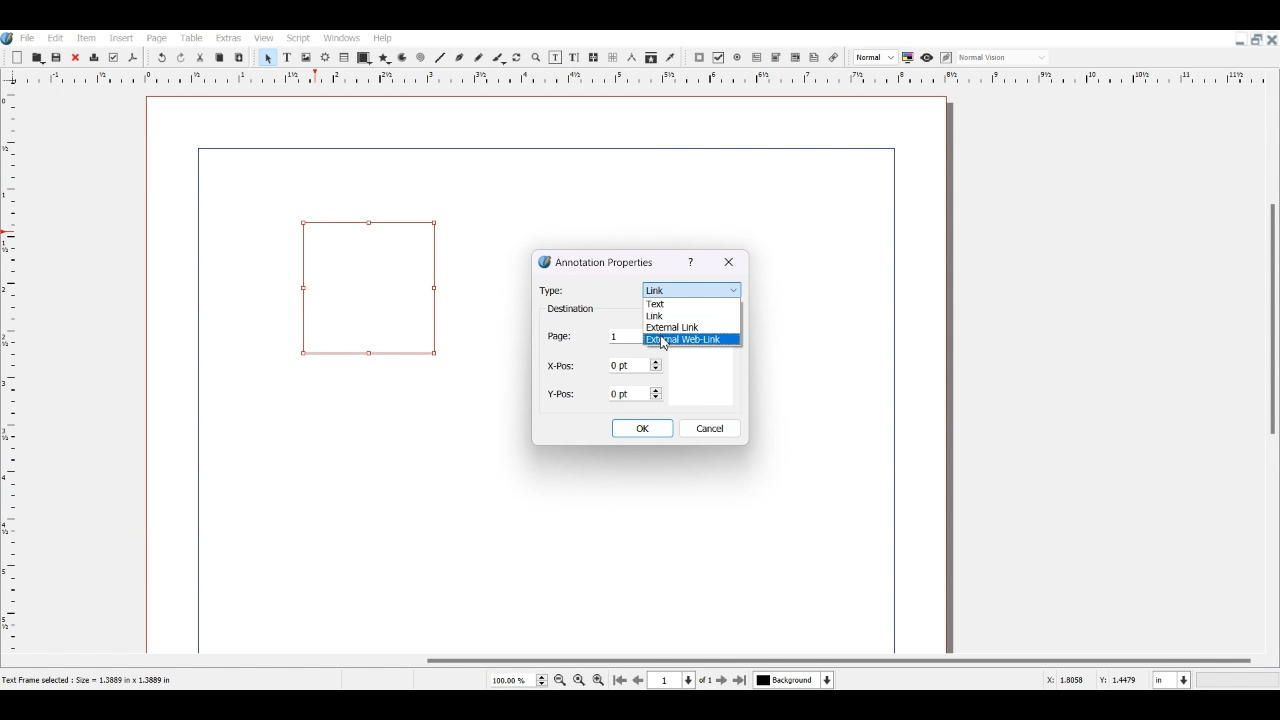 Image resolution: width=1280 pixels, height=720 pixels. What do you see at coordinates (926, 57) in the screenshot?
I see `Preview mode` at bounding box center [926, 57].